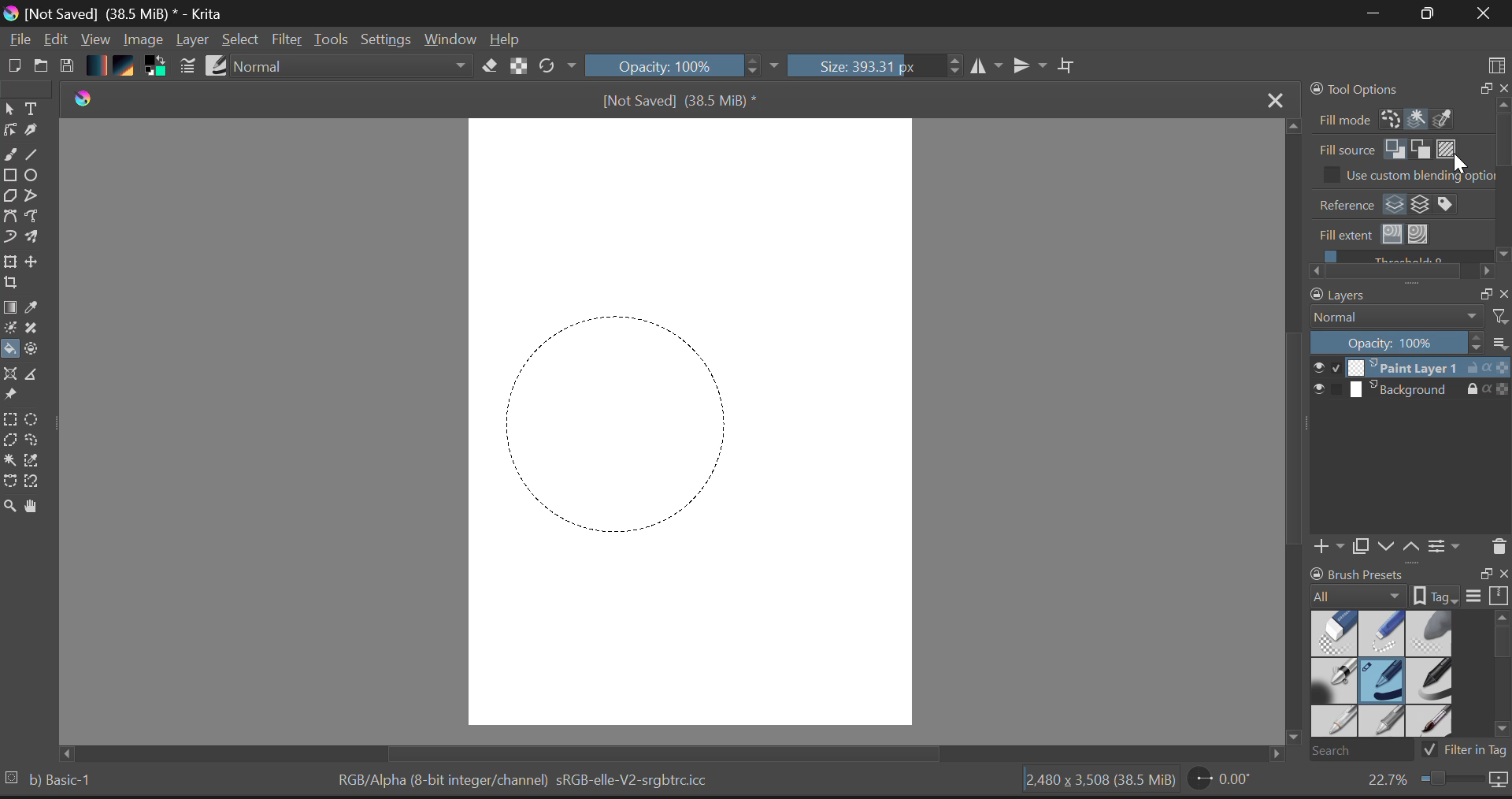 This screenshot has width=1512, height=799. I want to click on Brush Size, so click(874, 67).